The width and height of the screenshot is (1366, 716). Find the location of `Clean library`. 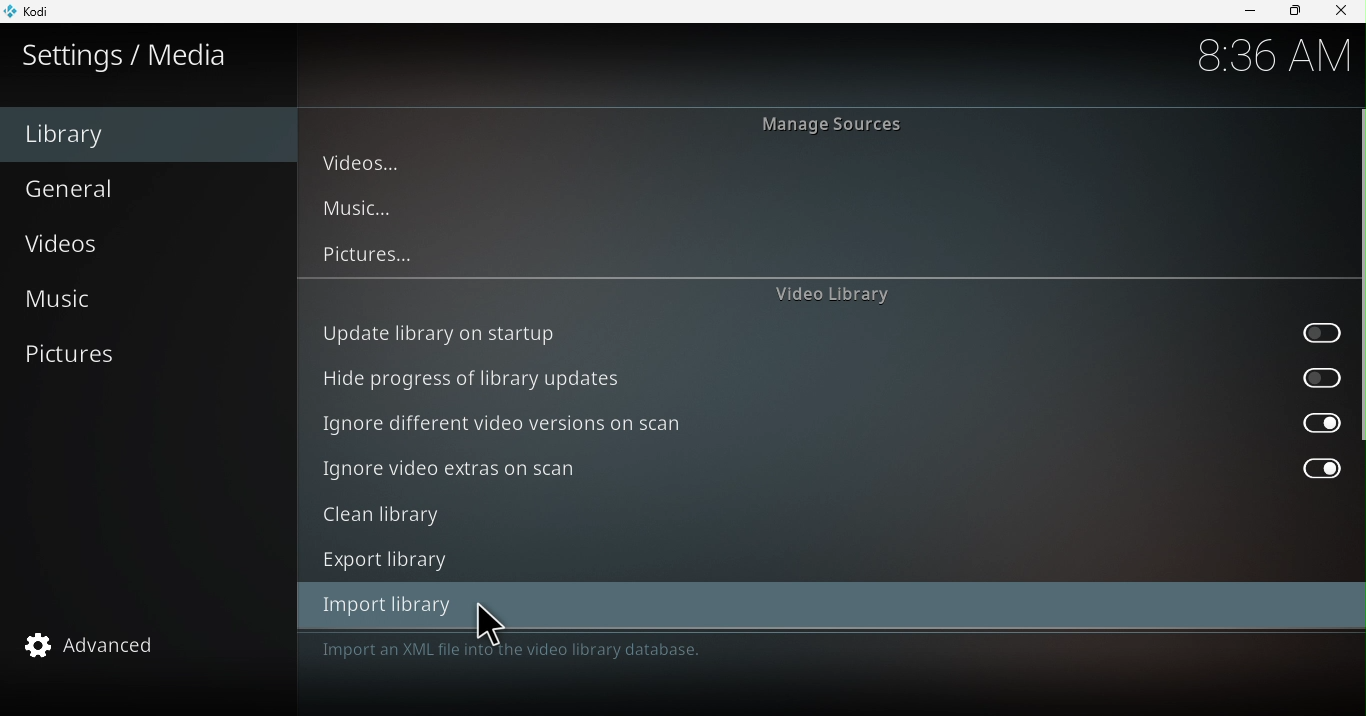

Clean library is located at coordinates (825, 516).